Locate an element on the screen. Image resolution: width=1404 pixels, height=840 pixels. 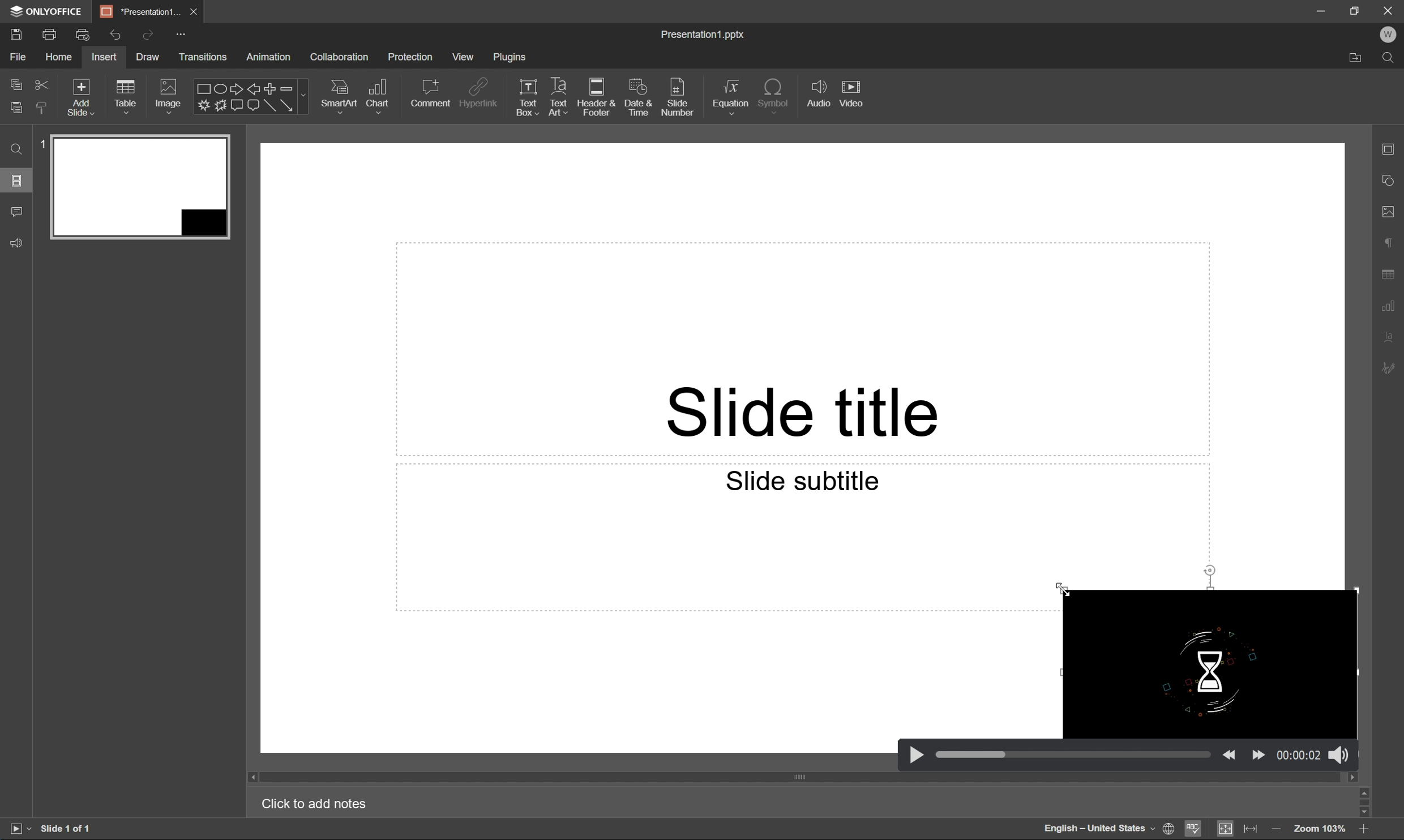
table settings is located at coordinates (1390, 273).